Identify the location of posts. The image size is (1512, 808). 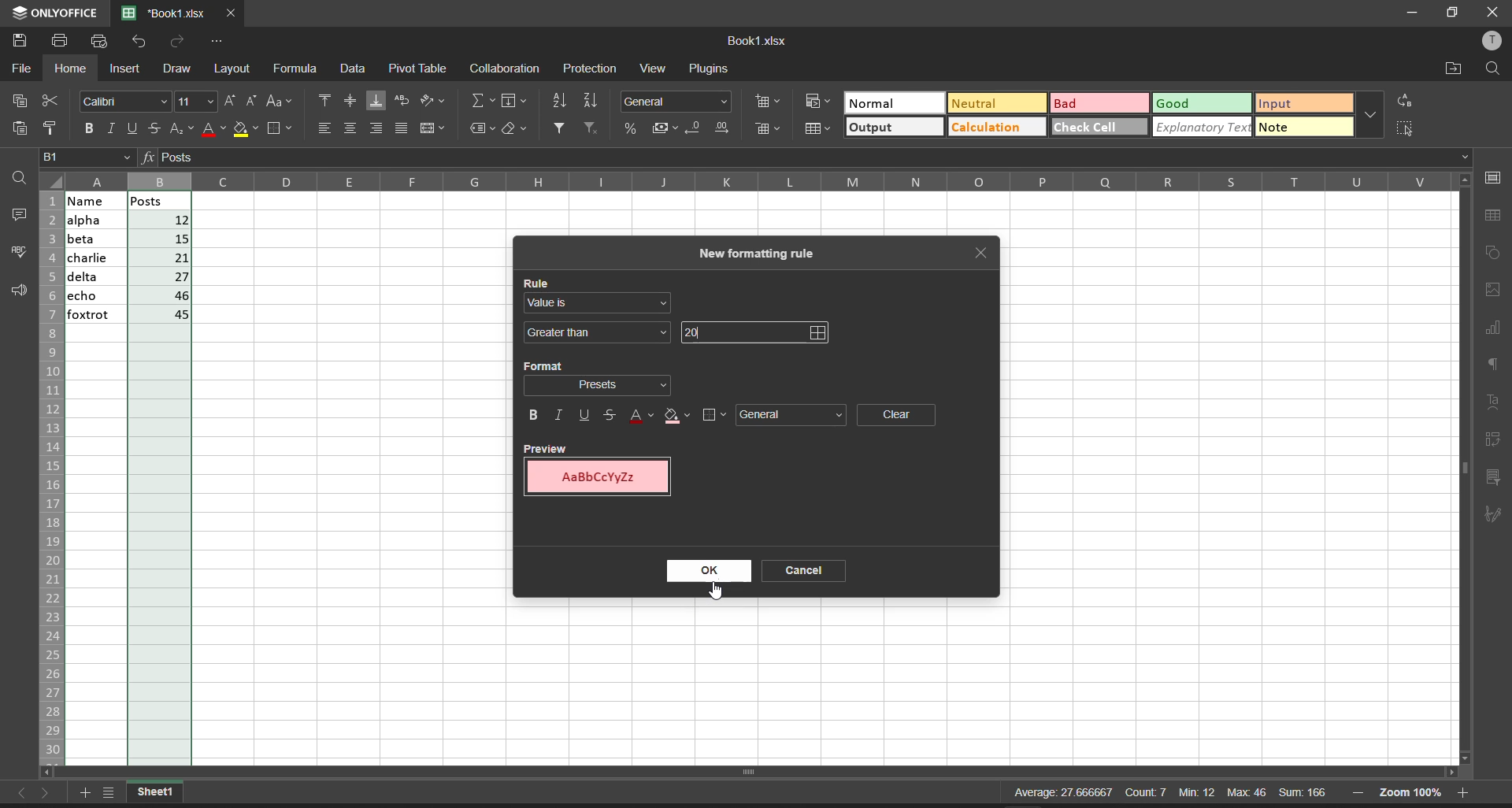
(157, 467).